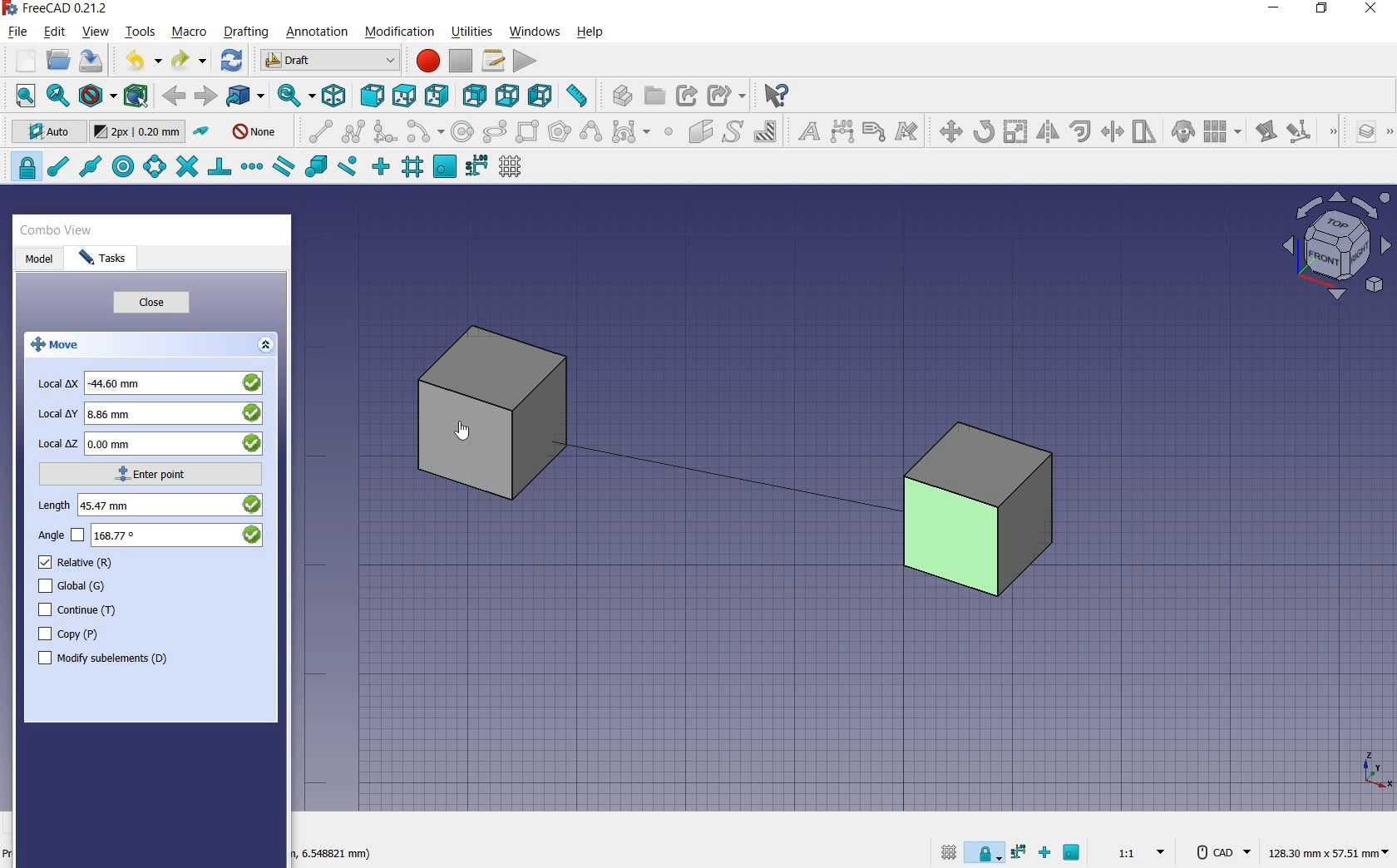  I want to click on go to linked objects, so click(244, 96).